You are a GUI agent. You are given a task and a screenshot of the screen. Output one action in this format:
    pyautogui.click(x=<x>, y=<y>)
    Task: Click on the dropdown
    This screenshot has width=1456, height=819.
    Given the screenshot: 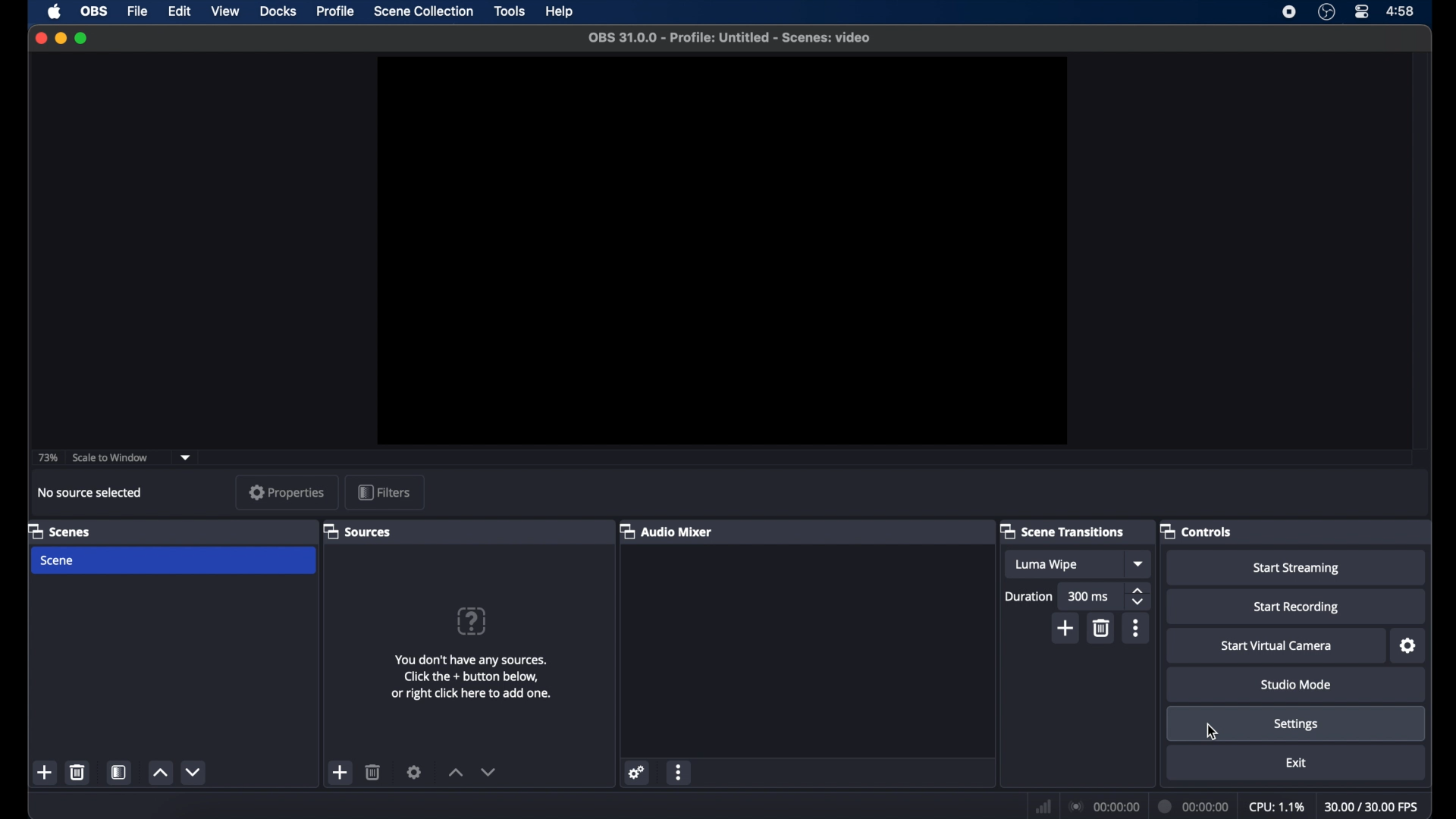 What is the action you would take?
    pyautogui.click(x=1139, y=563)
    